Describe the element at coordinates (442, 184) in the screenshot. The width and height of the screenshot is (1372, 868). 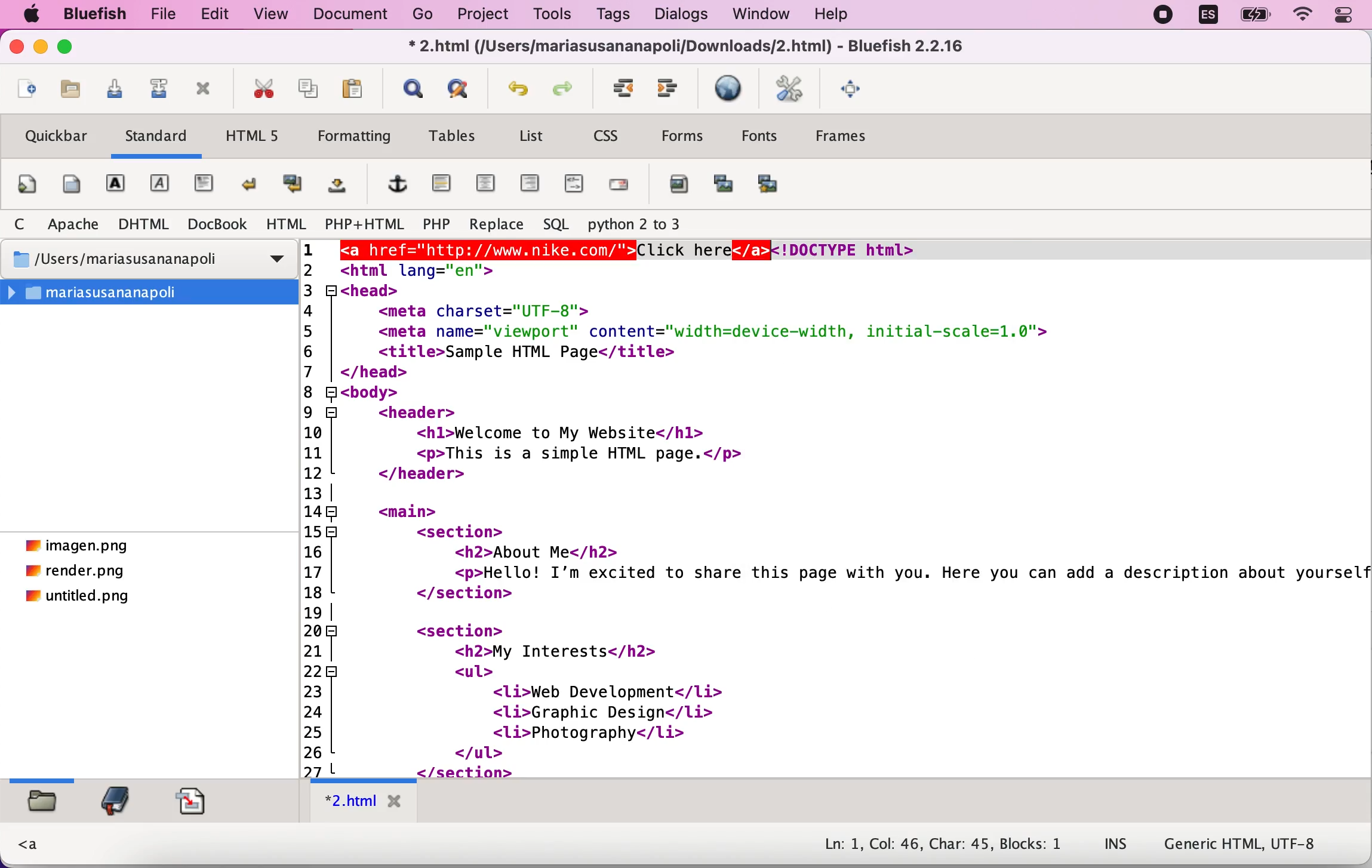
I see `horizontal rule` at that location.